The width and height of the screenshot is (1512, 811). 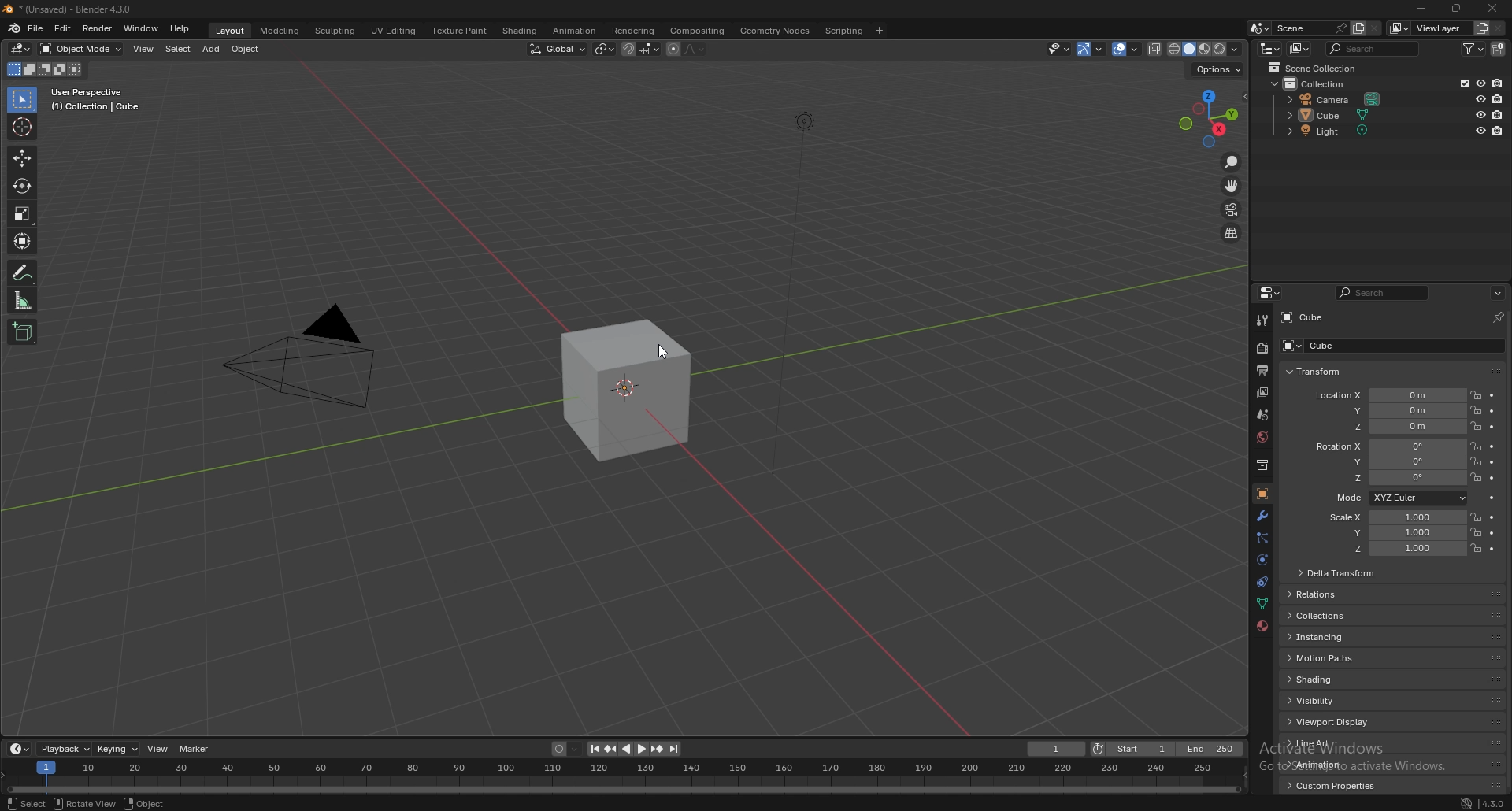 What do you see at coordinates (1475, 48) in the screenshot?
I see `filter` at bounding box center [1475, 48].